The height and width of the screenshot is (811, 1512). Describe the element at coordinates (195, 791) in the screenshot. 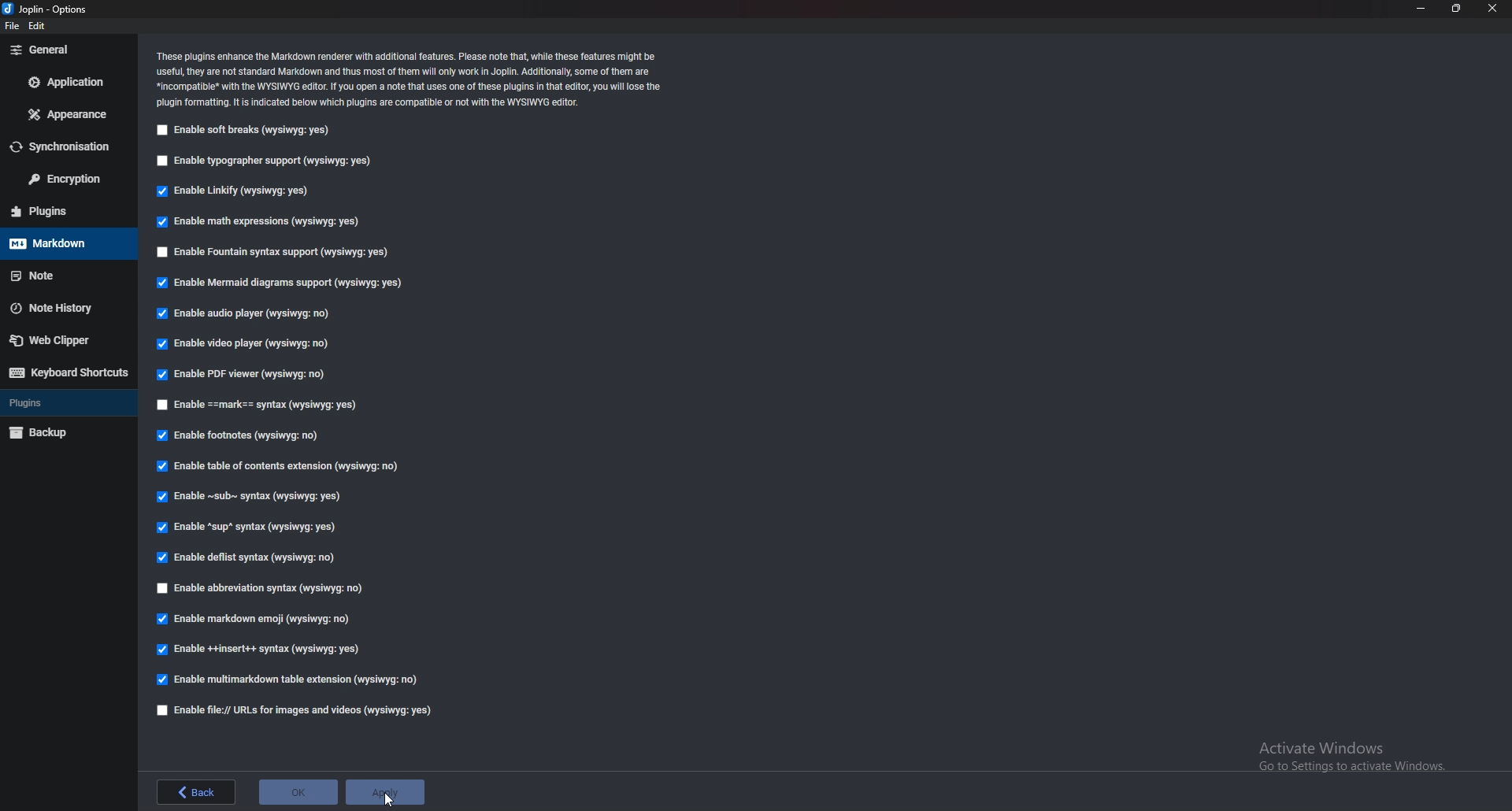

I see `back` at that location.